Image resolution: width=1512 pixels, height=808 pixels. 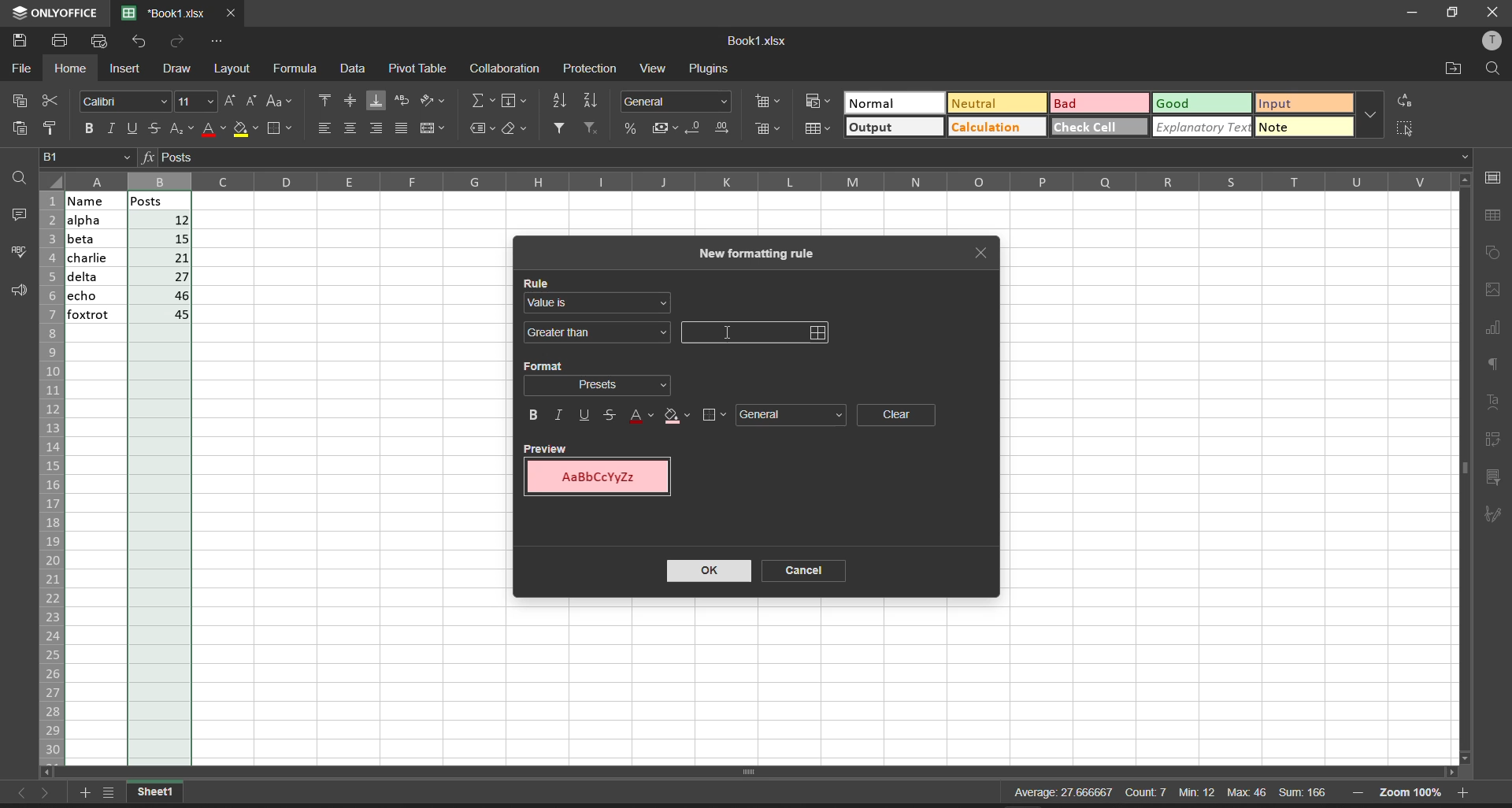 I want to click on plugins, so click(x=710, y=69).